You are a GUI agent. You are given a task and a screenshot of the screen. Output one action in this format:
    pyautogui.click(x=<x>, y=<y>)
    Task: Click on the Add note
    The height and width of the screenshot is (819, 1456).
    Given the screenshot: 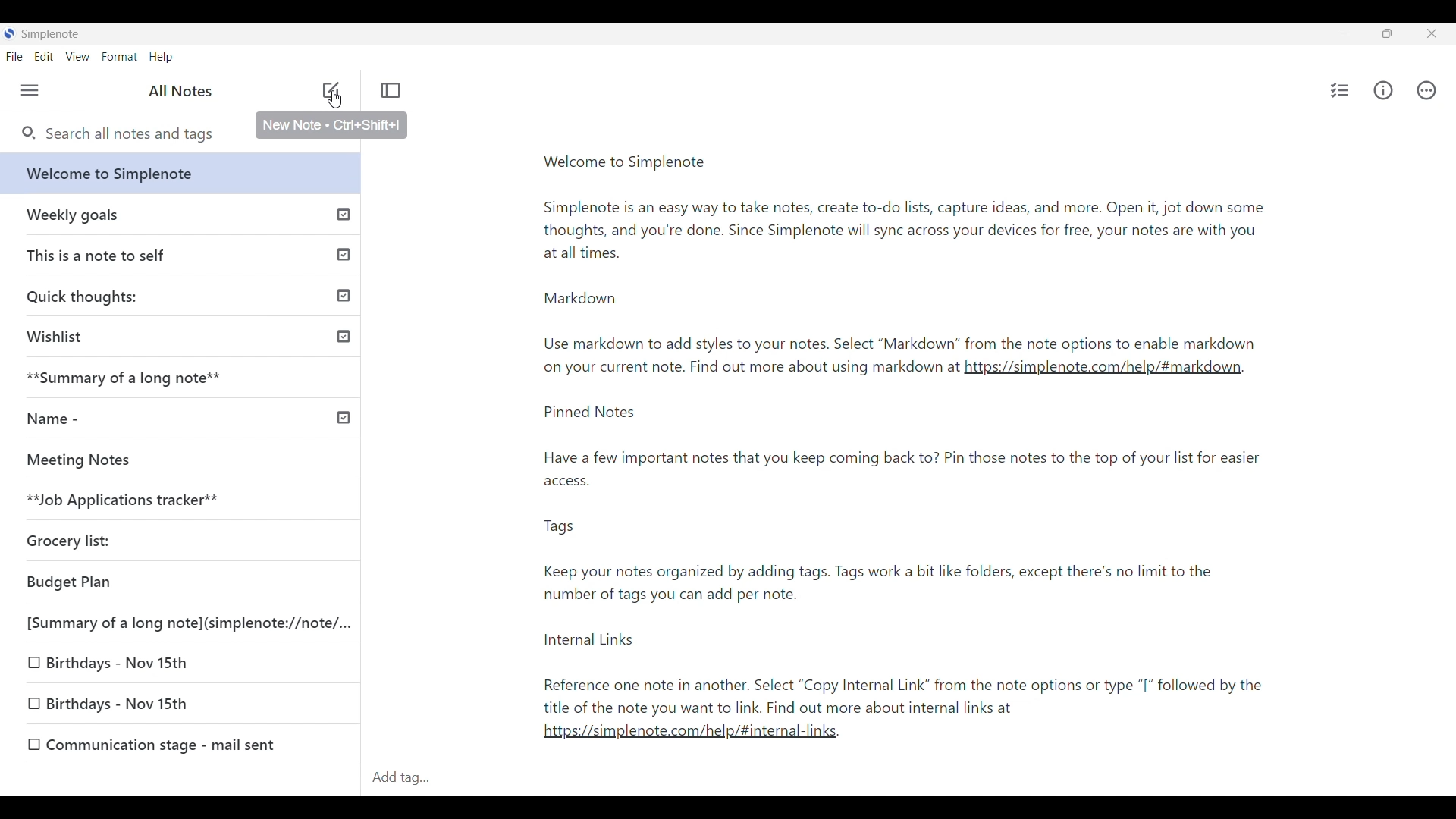 What is the action you would take?
    pyautogui.click(x=332, y=90)
    